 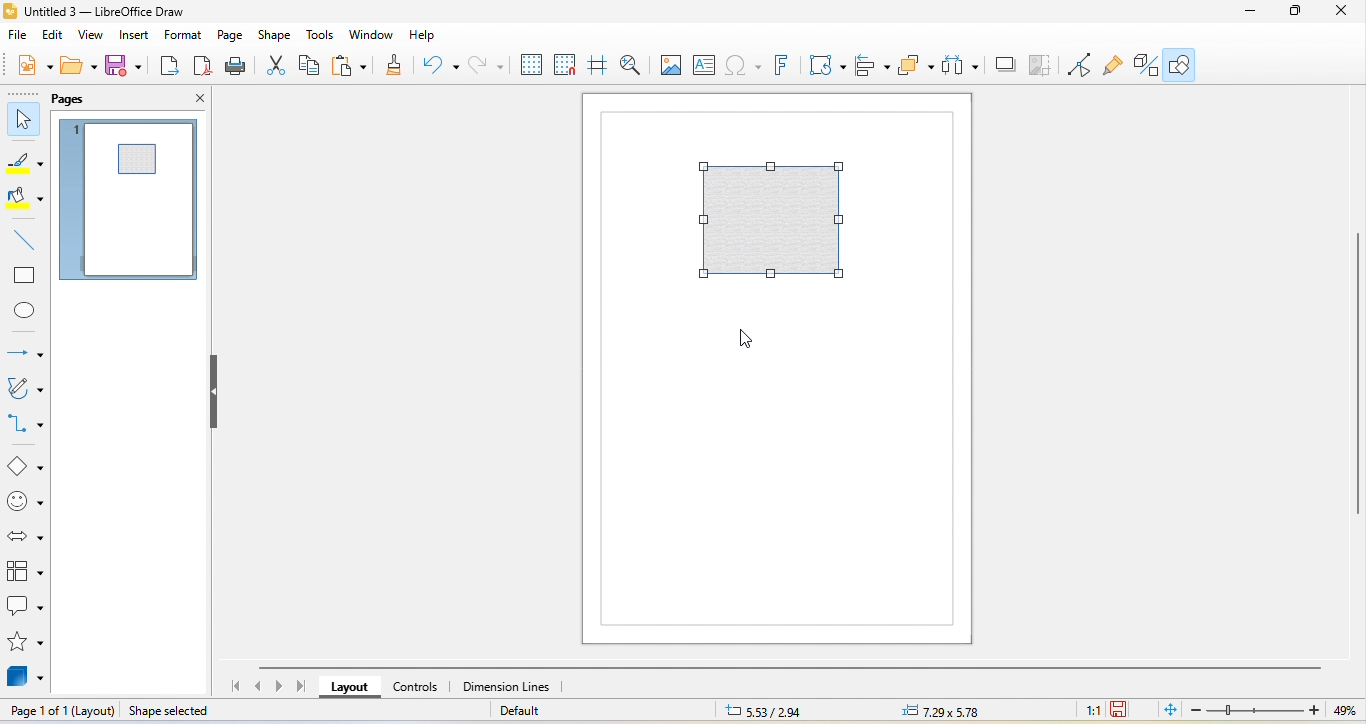 I want to click on clone formatting, so click(x=394, y=66).